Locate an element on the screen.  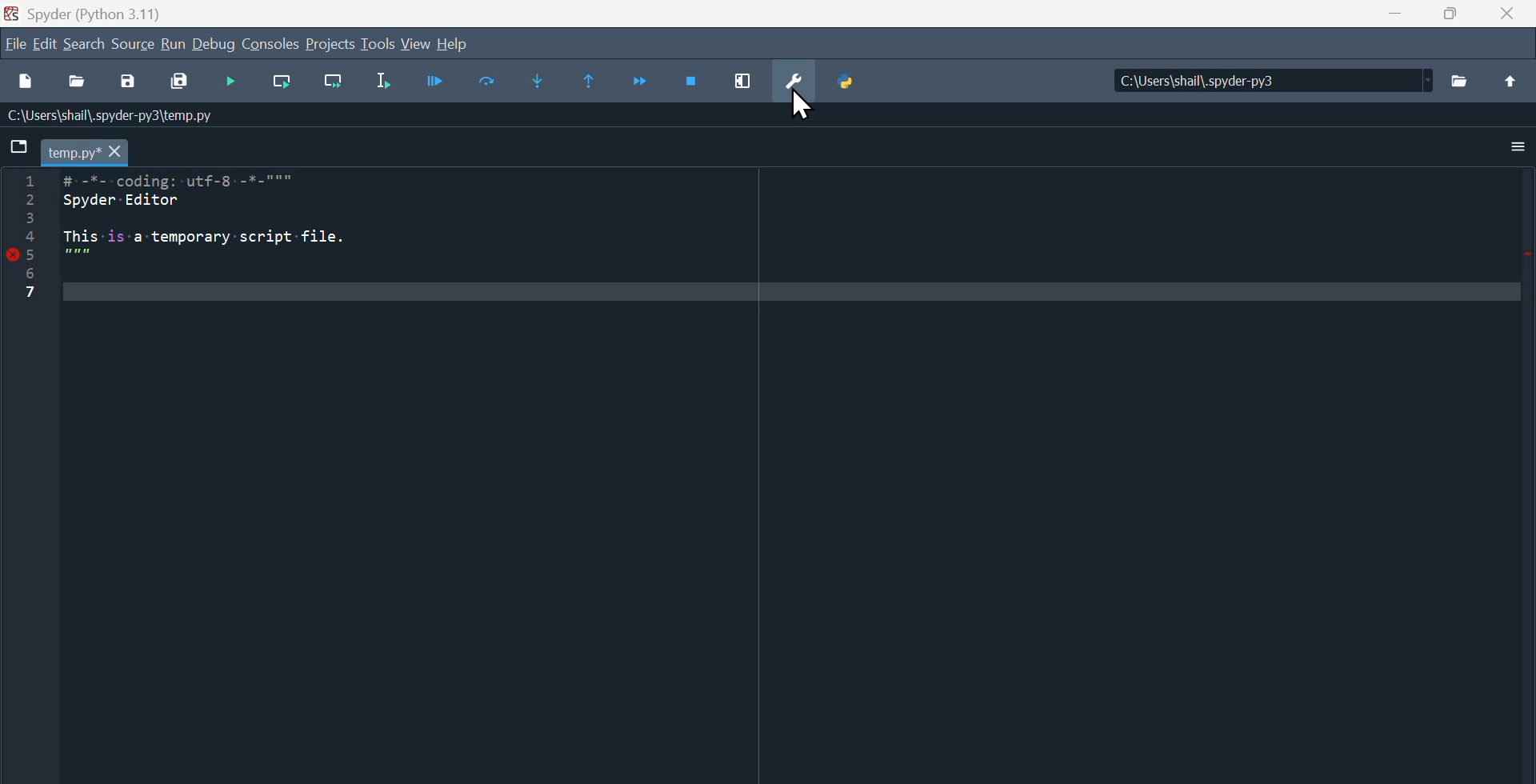
minimise is located at coordinates (1390, 19).